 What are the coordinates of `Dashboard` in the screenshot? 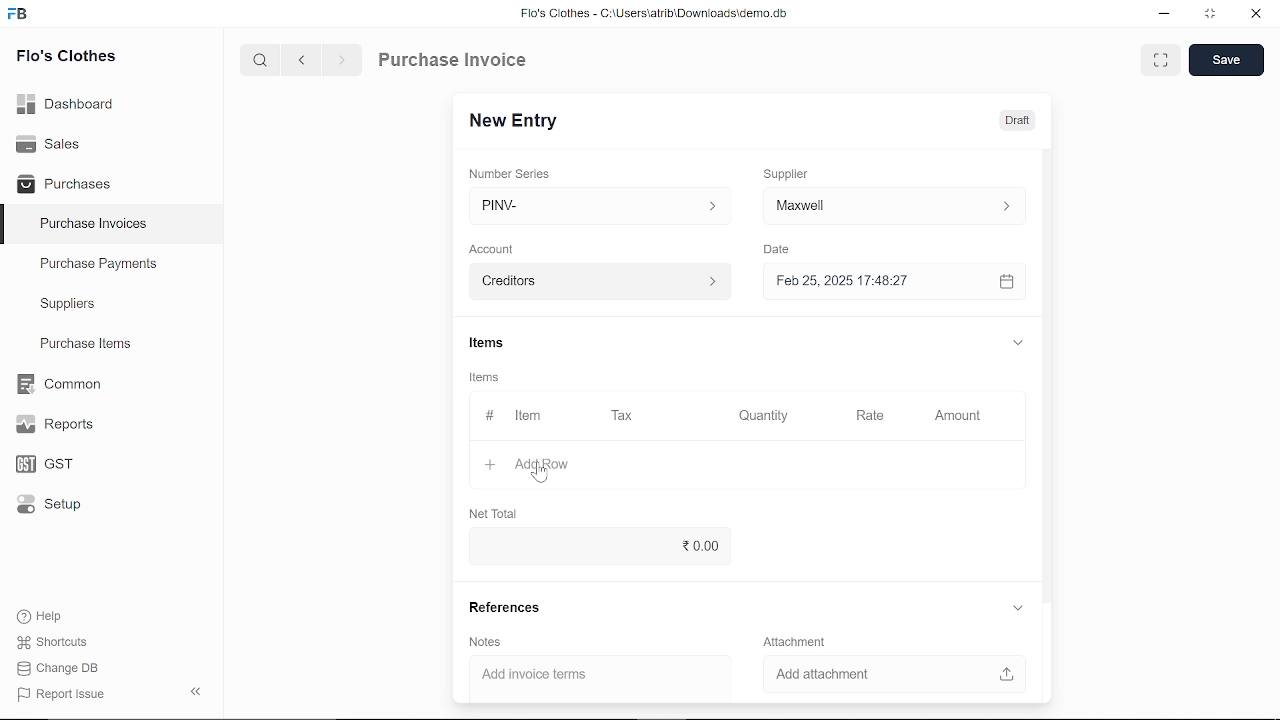 It's located at (66, 102).